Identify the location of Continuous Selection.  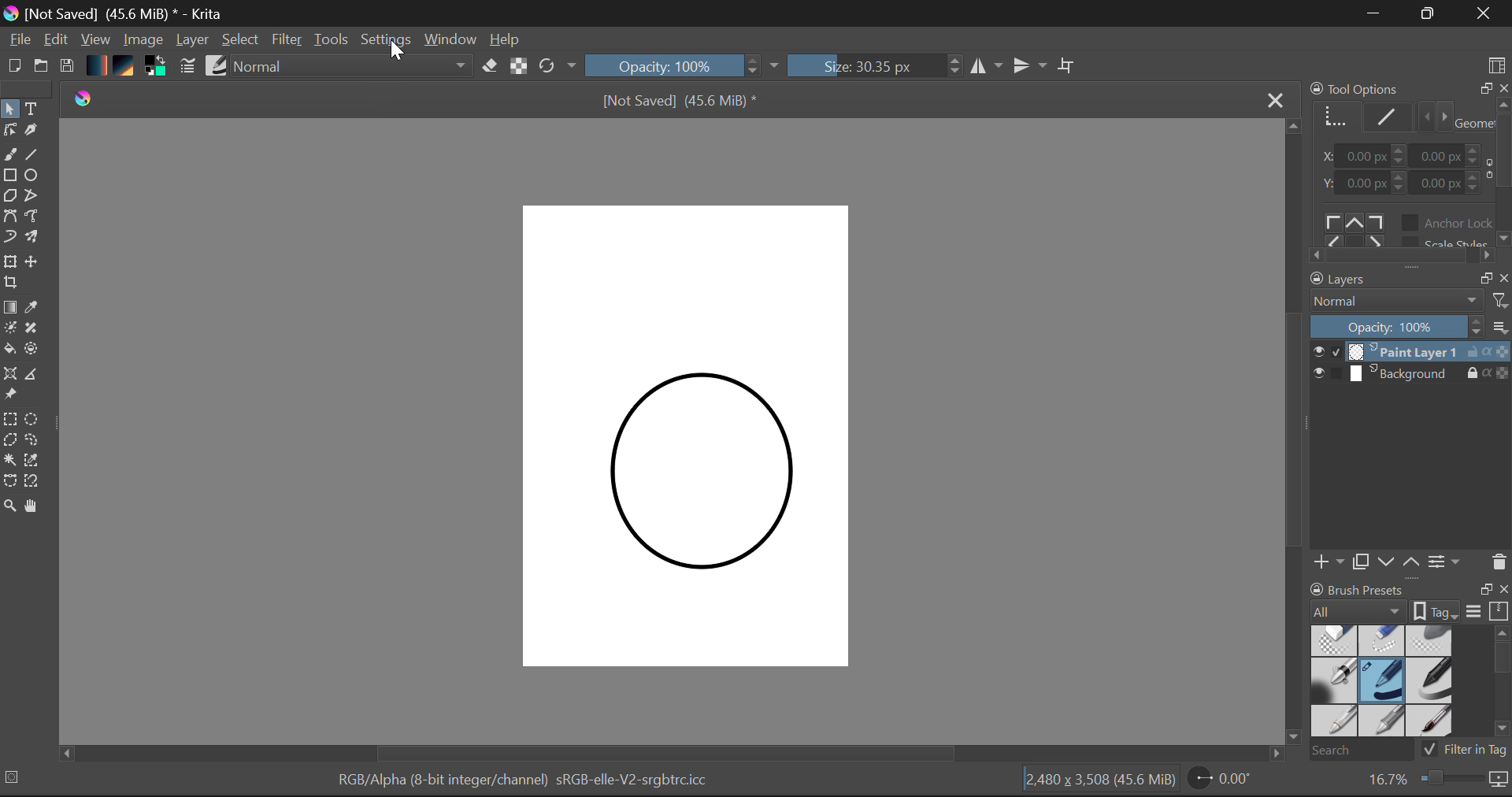
(9, 462).